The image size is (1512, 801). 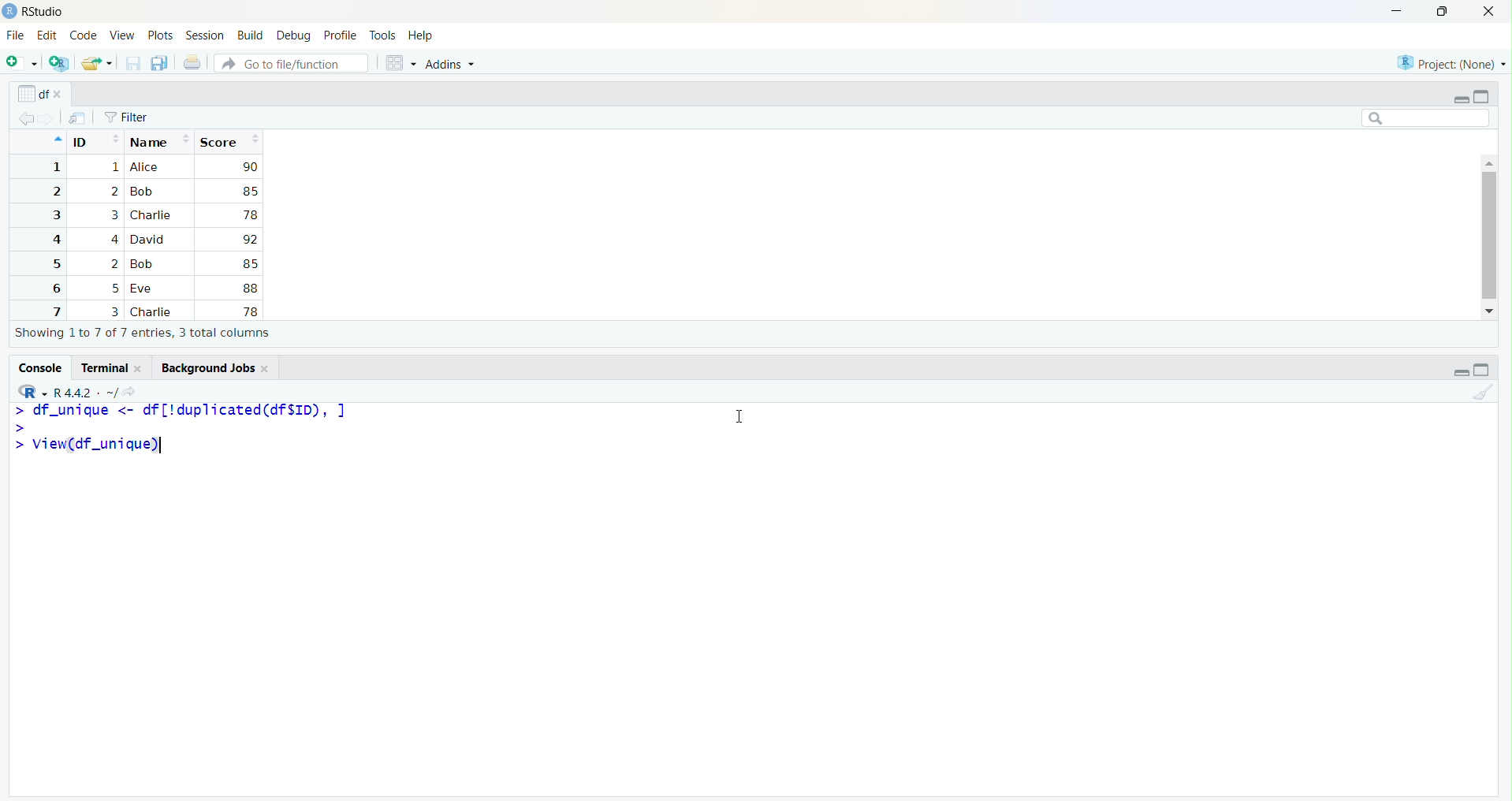 I want to click on Edit, so click(x=47, y=35).